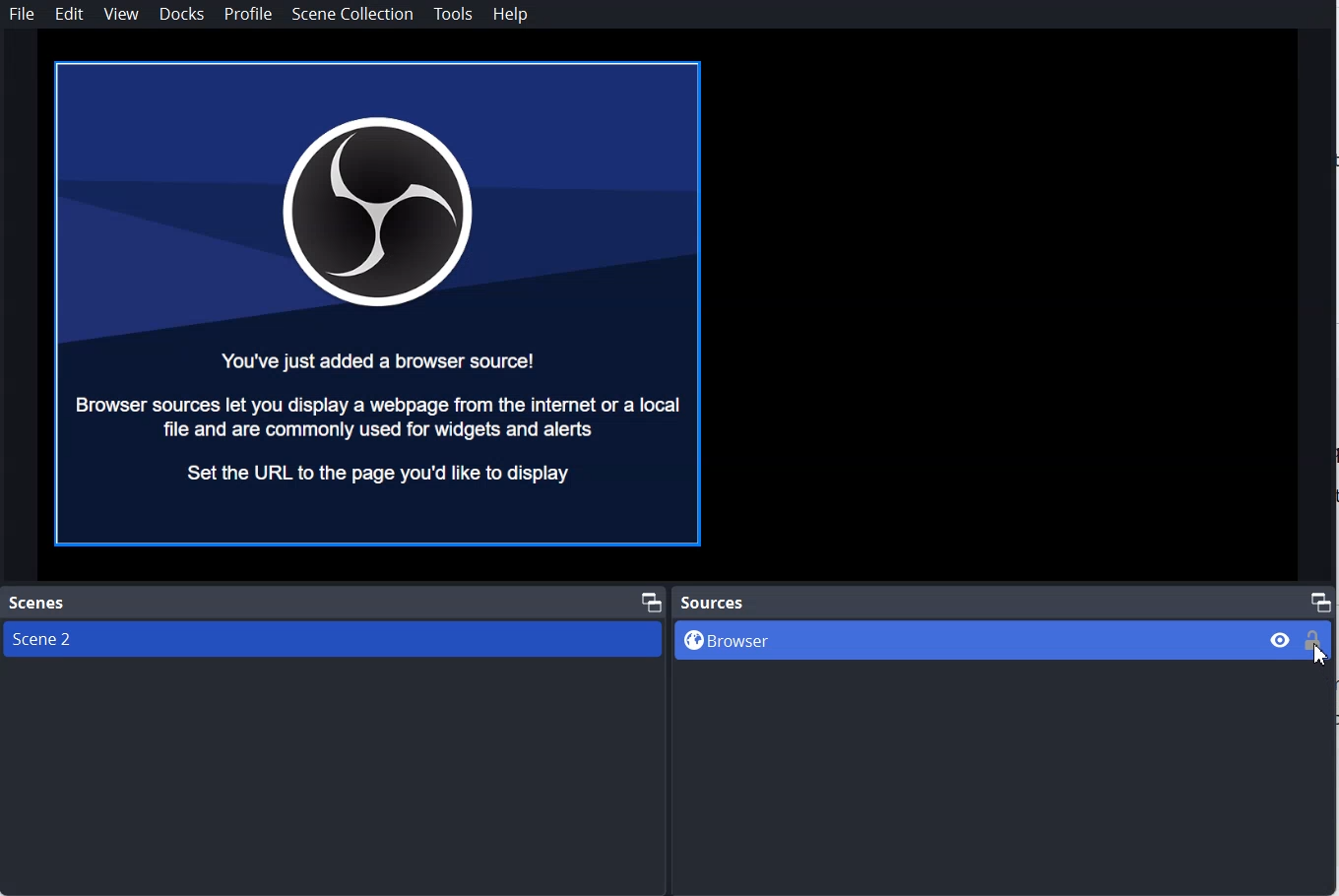  Describe the element at coordinates (332, 638) in the screenshot. I see `Scene` at that location.